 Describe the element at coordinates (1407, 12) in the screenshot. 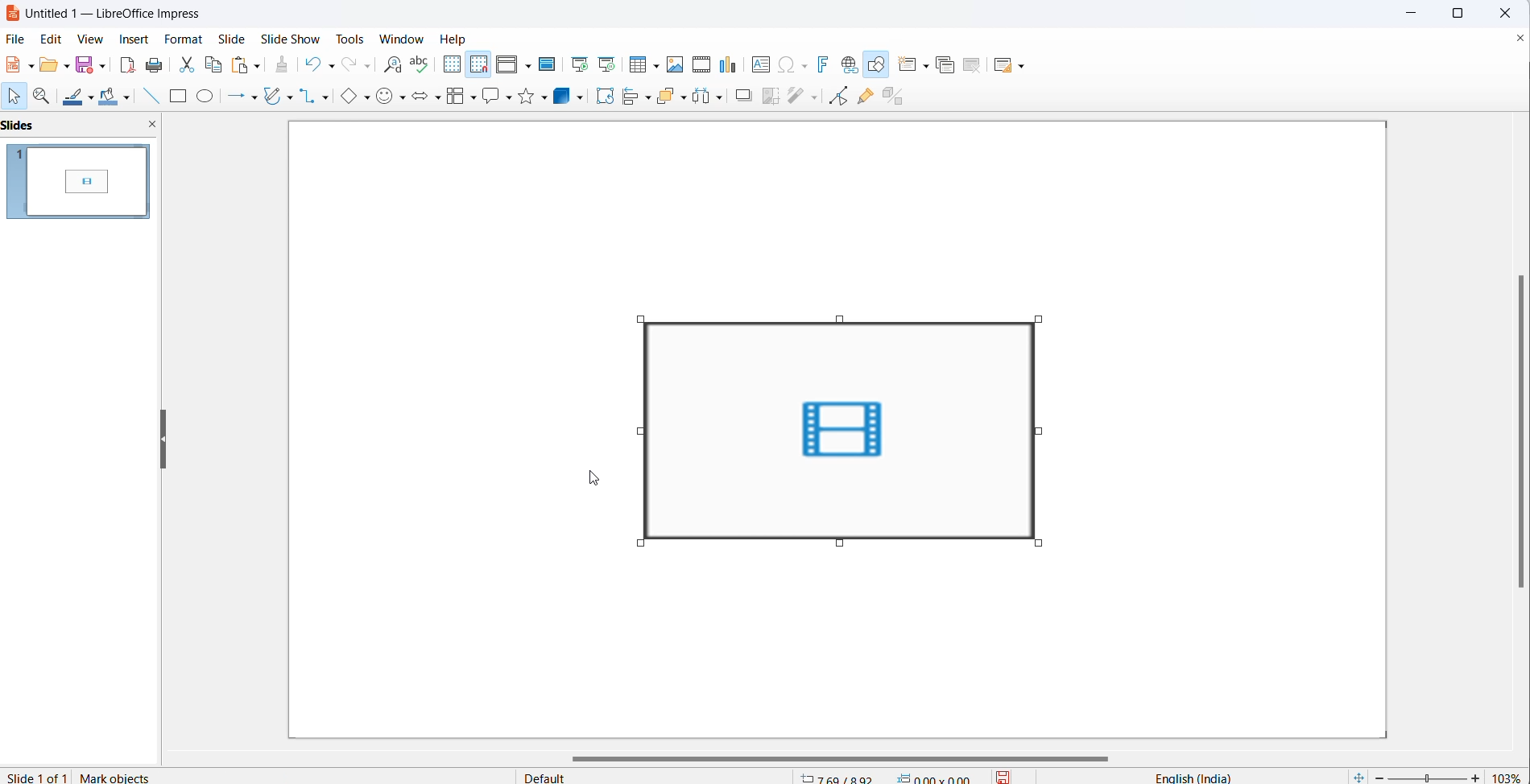

I see `minimize` at that location.